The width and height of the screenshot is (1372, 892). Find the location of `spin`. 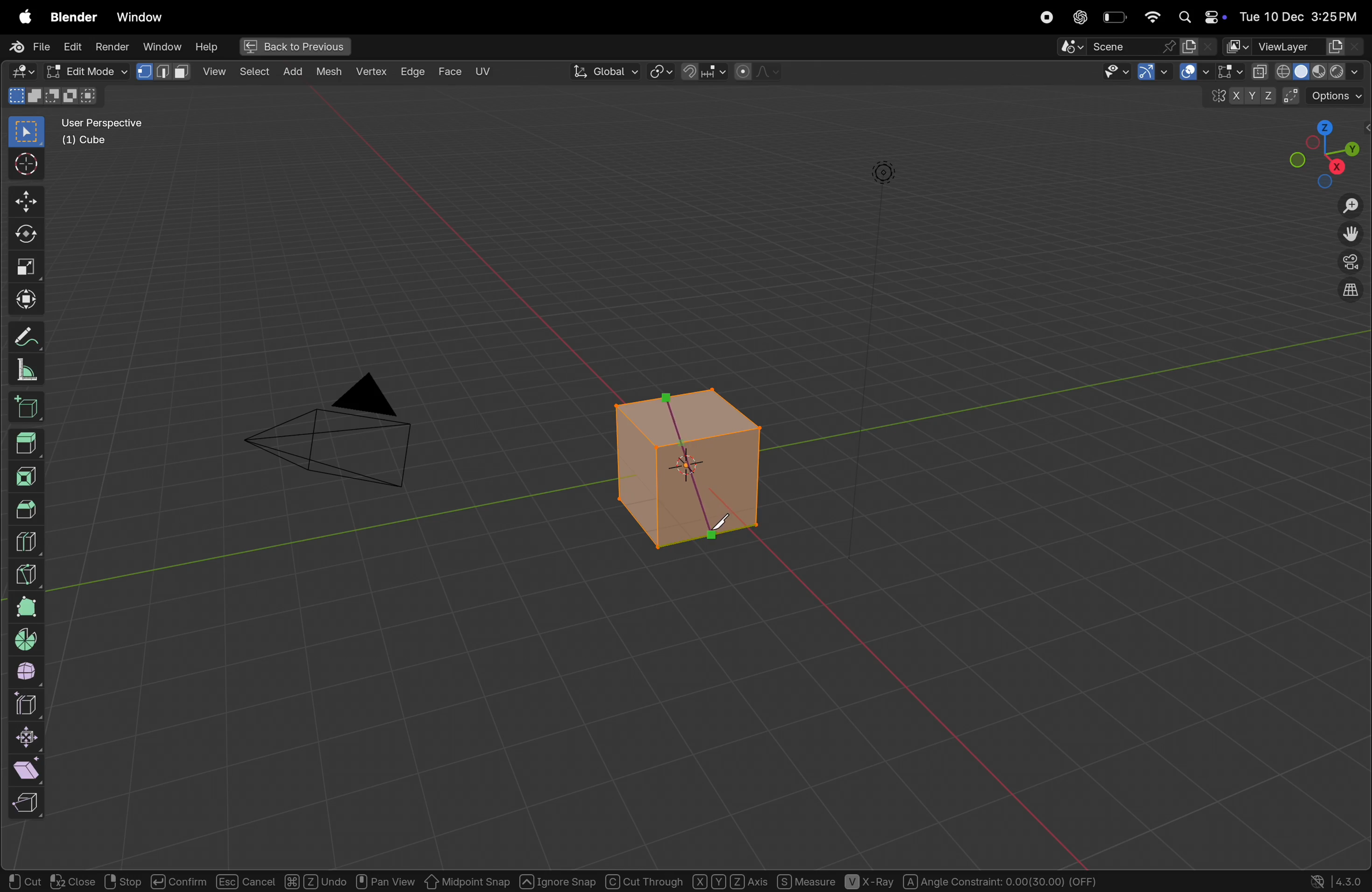

spin is located at coordinates (28, 639).